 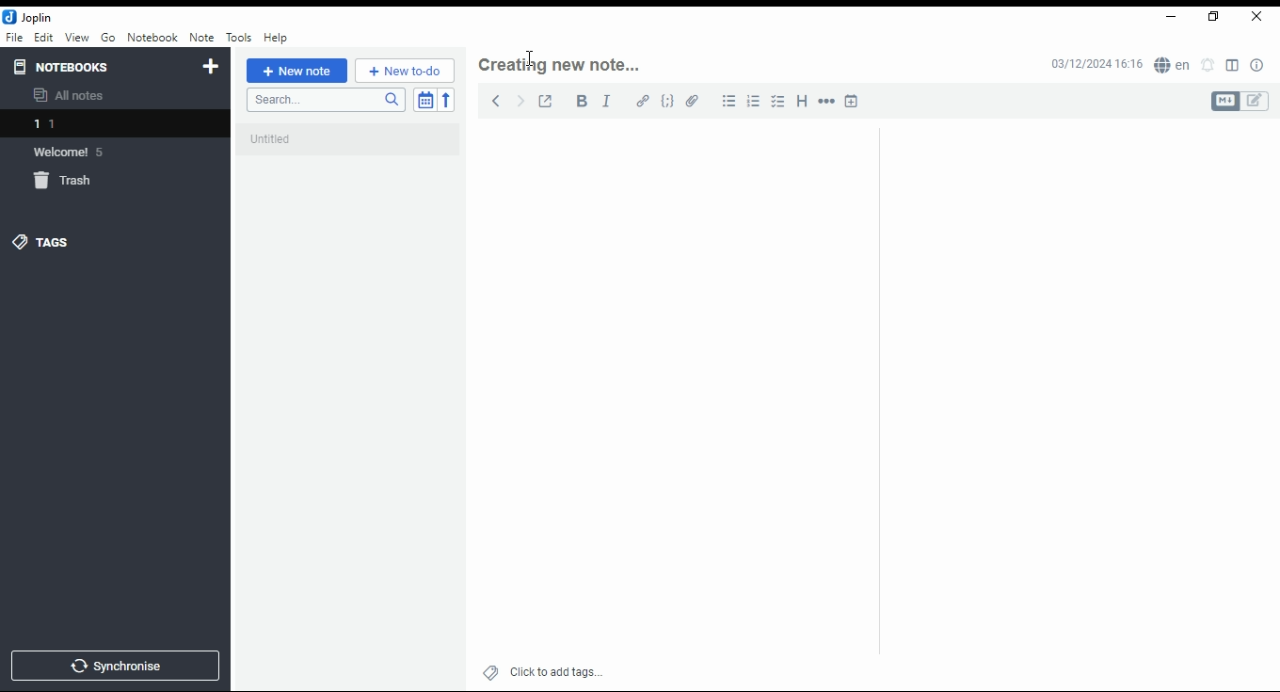 What do you see at coordinates (97, 66) in the screenshot?
I see `notebooks` at bounding box center [97, 66].